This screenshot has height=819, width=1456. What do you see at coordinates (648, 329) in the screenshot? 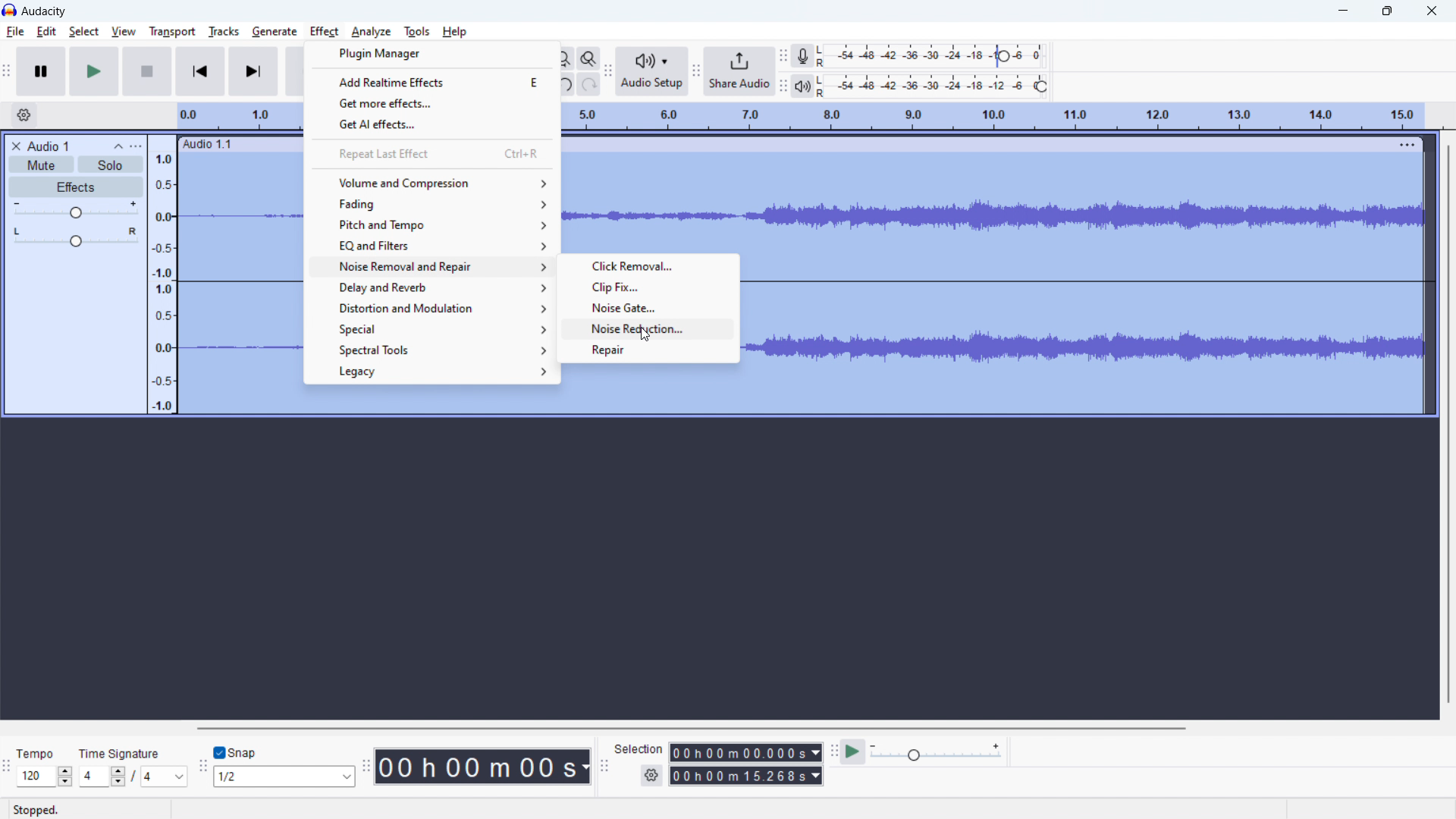
I see `` at bounding box center [648, 329].